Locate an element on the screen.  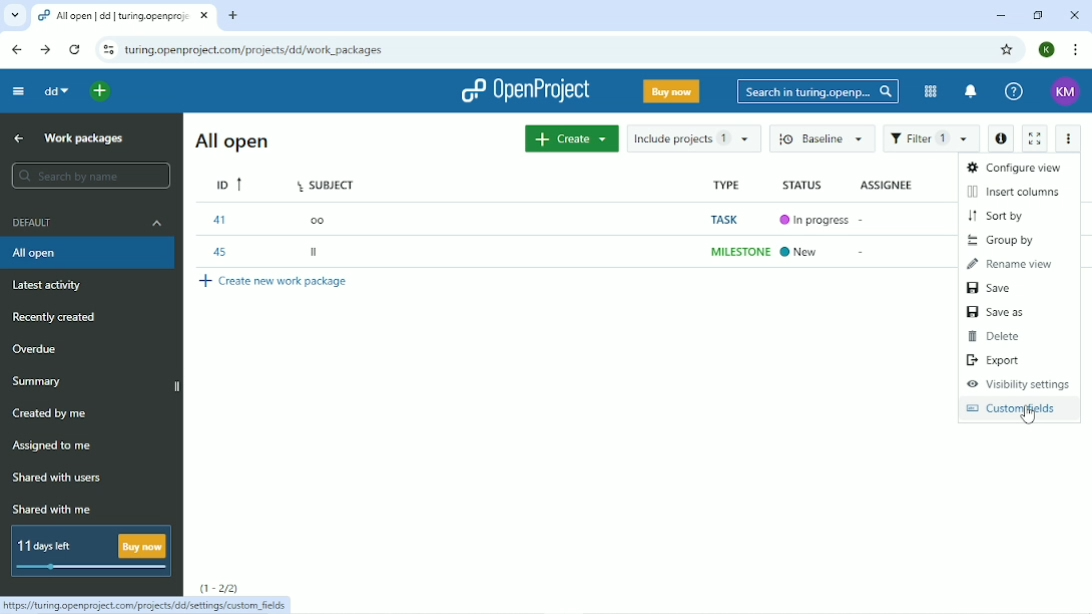
Shared with me is located at coordinates (53, 509).